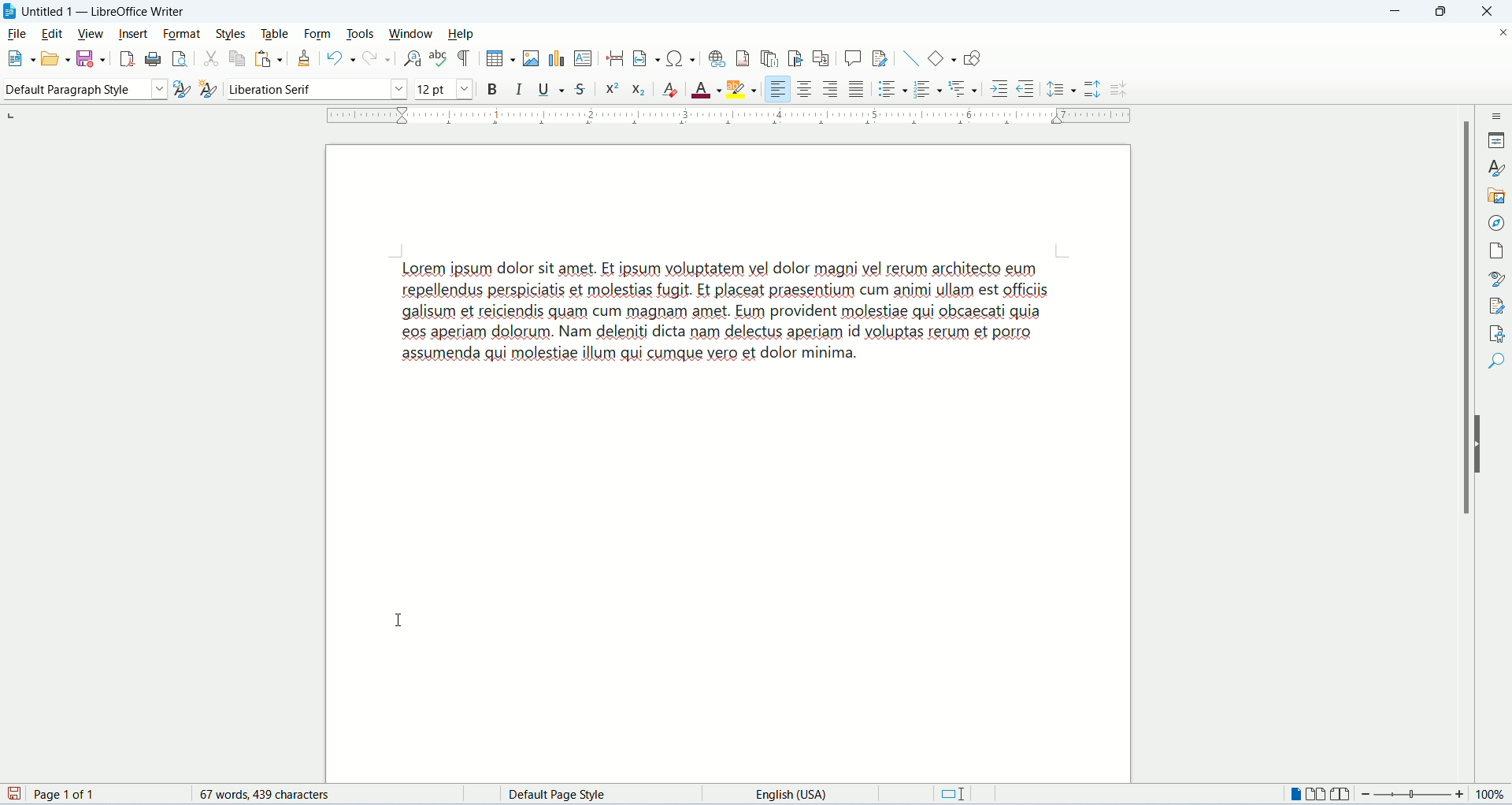 The height and width of the screenshot is (805, 1512). I want to click on spelling, so click(437, 61).